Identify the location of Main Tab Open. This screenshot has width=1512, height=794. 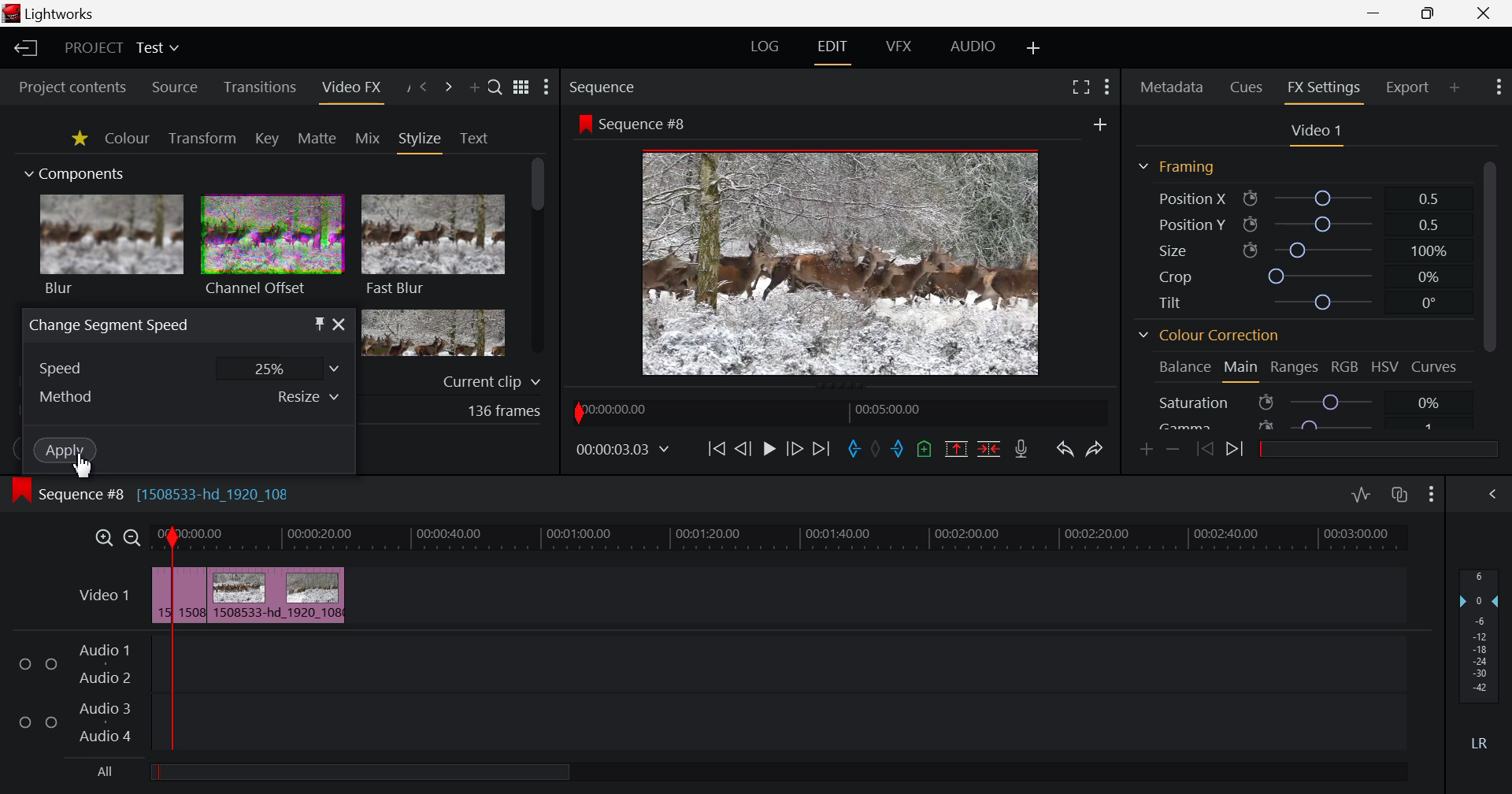
(1240, 369).